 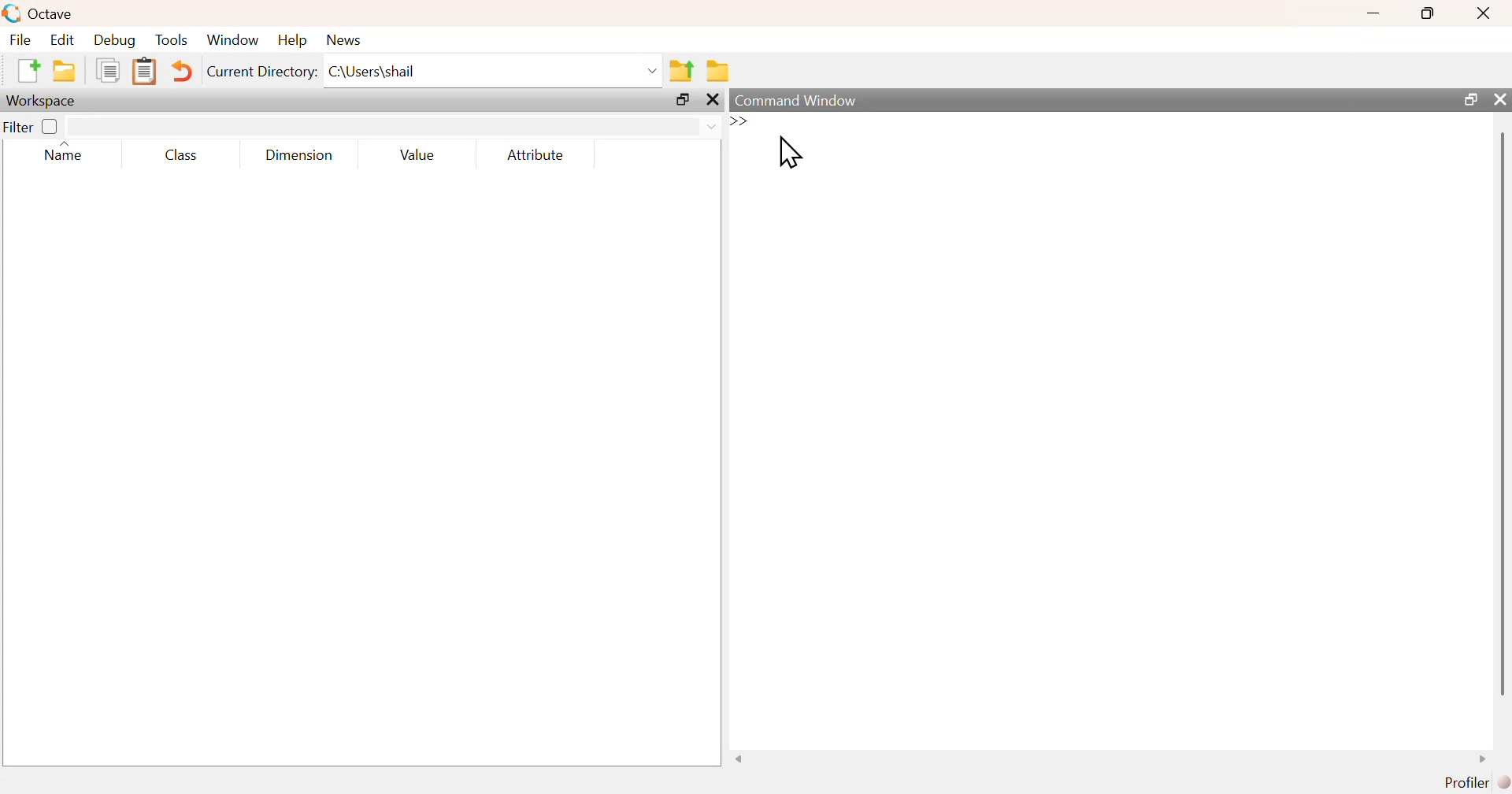 What do you see at coordinates (1469, 98) in the screenshot?
I see `maximize` at bounding box center [1469, 98].